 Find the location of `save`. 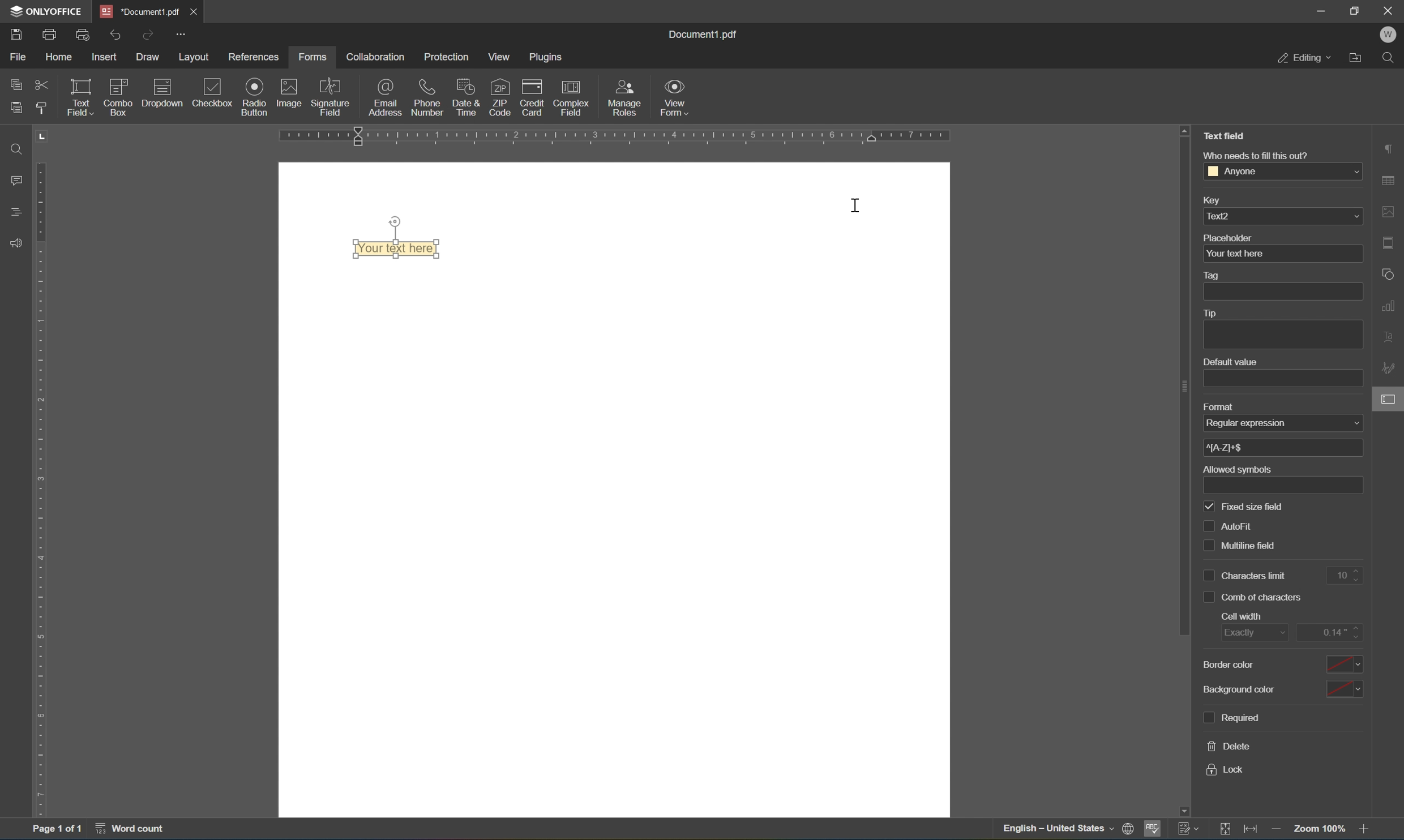

save is located at coordinates (17, 36).